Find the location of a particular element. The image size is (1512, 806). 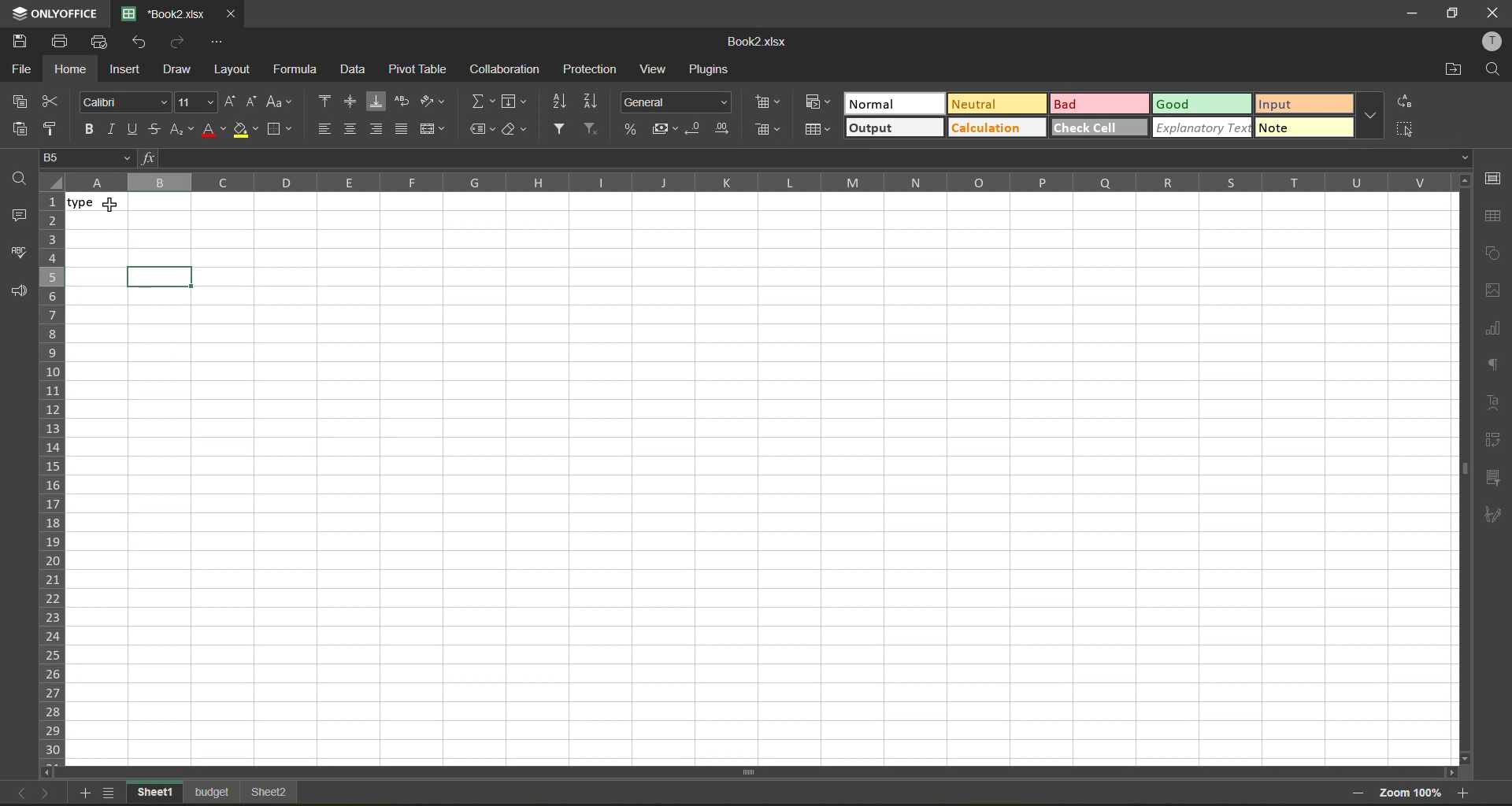

protection is located at coordinates (586, 70).